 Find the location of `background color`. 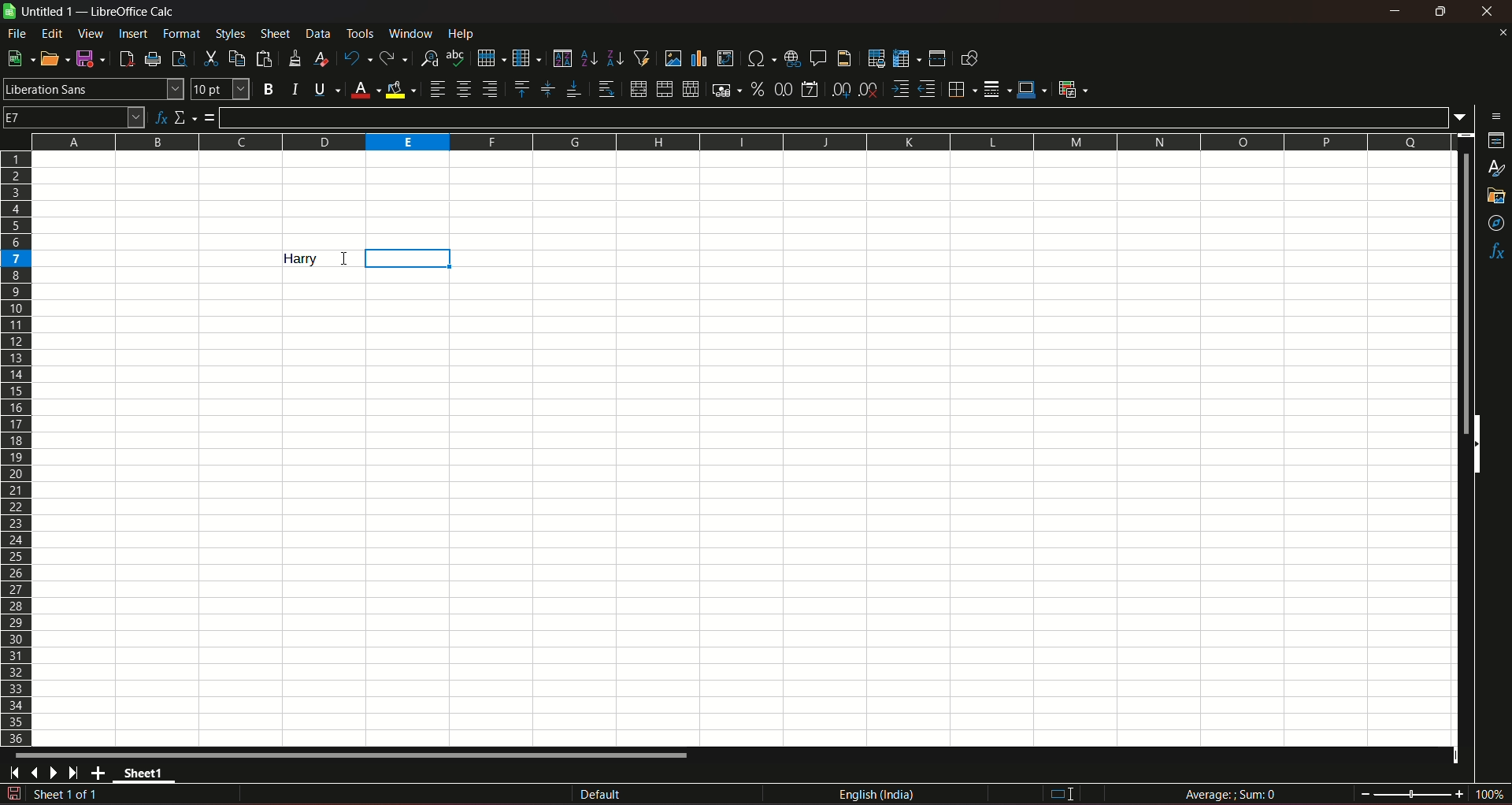

background color is located at coordinates (402, 89).